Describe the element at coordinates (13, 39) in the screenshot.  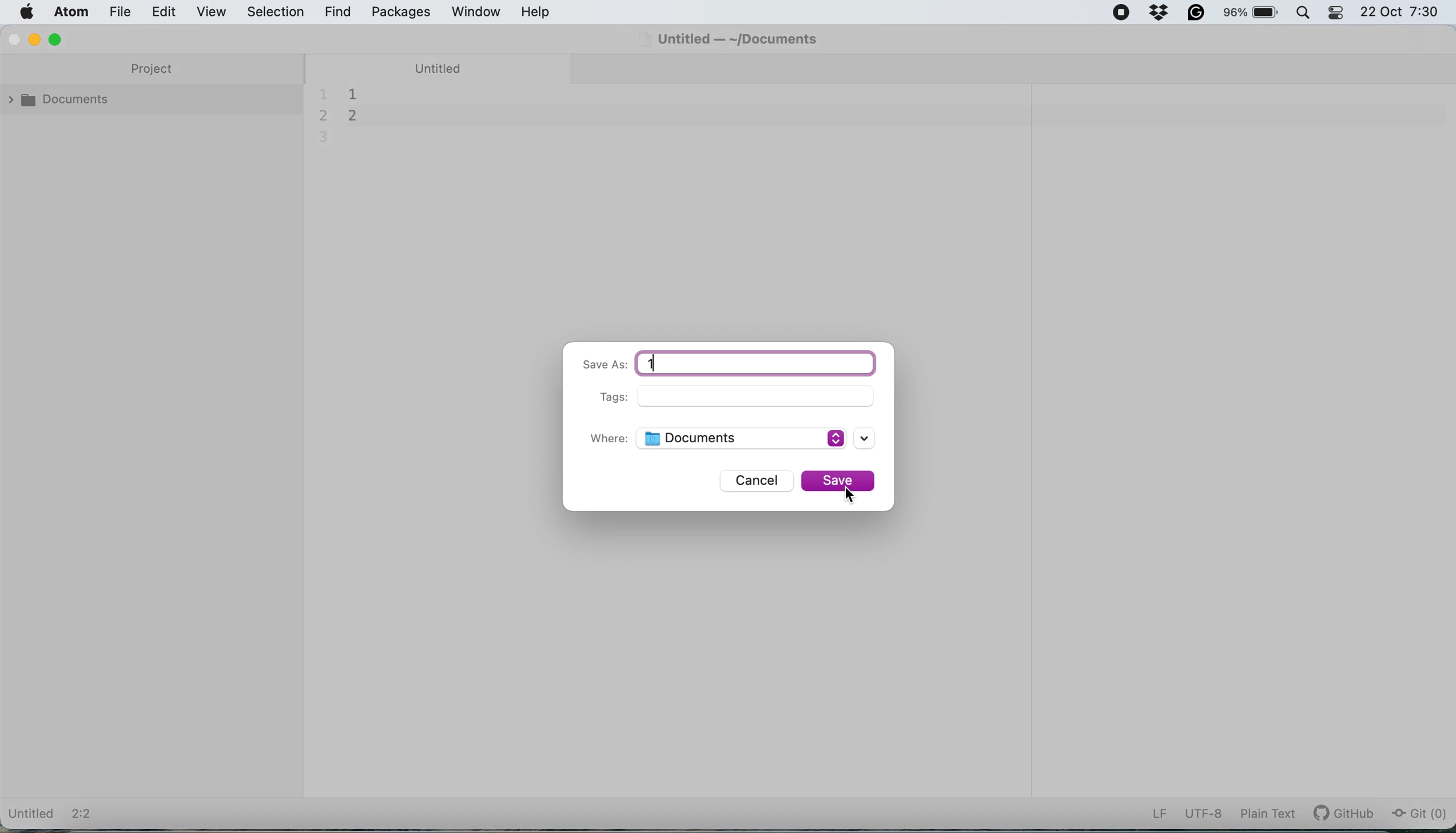
I see `close` at that location.